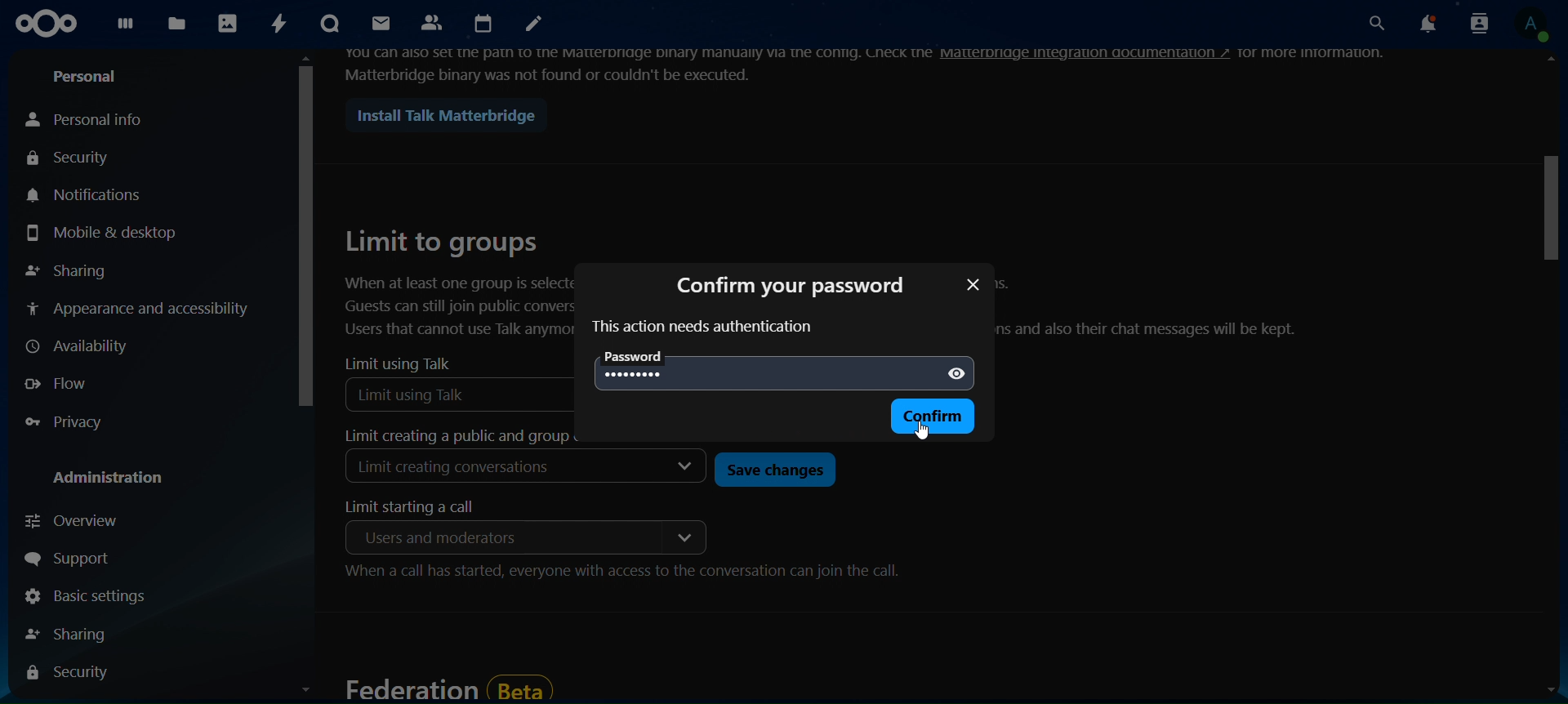 The width and height of the screenshot is (1568, 704). What do you see at coordinates (1373, 25) in the screenshot?
I see `search` at bounding box center [1373, 25].